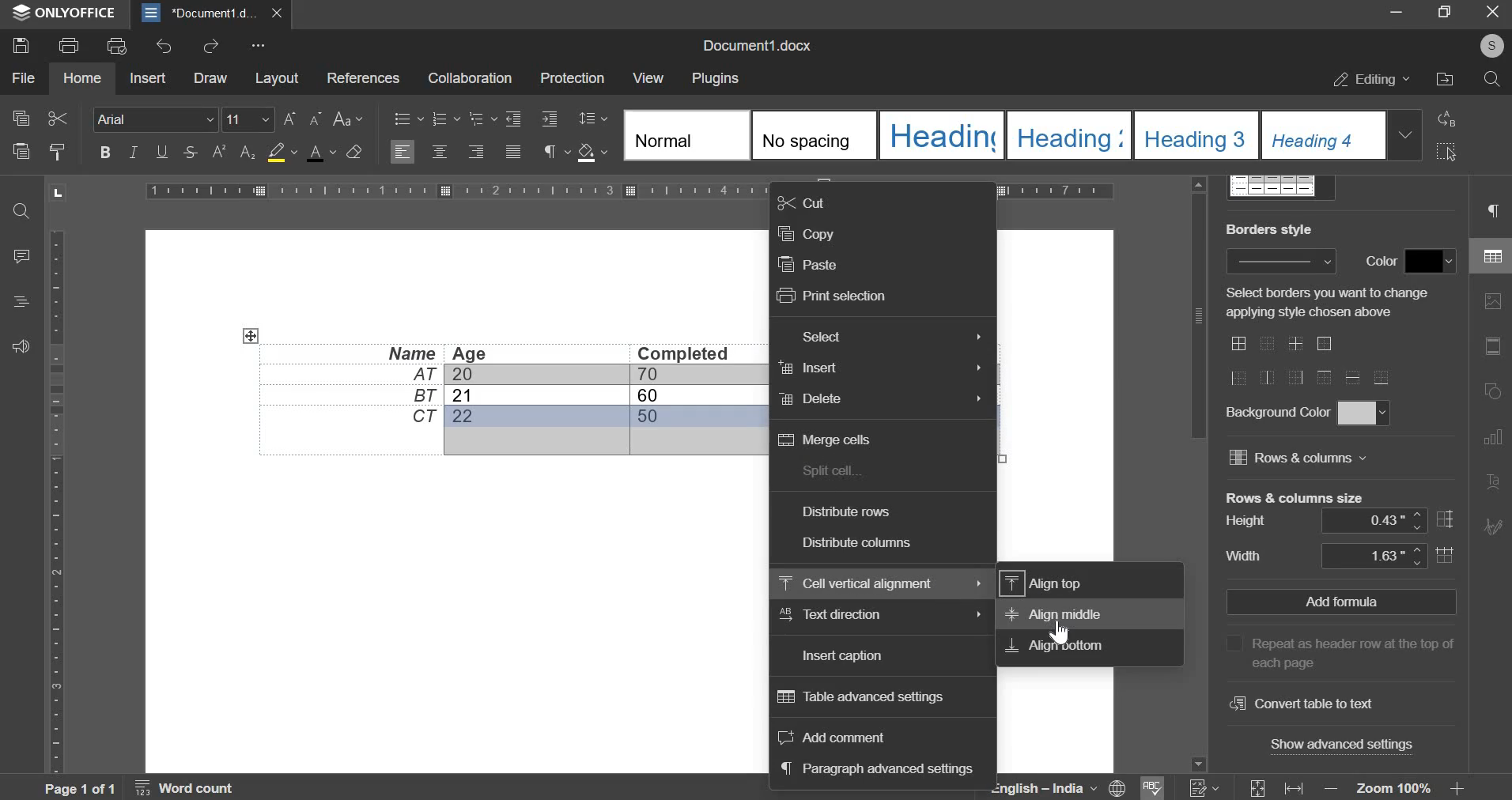 This screenshot has width=1512, height=800. What do you see at coordinates (1430, 262) in the screenshot?
I see `border color` at bounding box center [1430, 262].